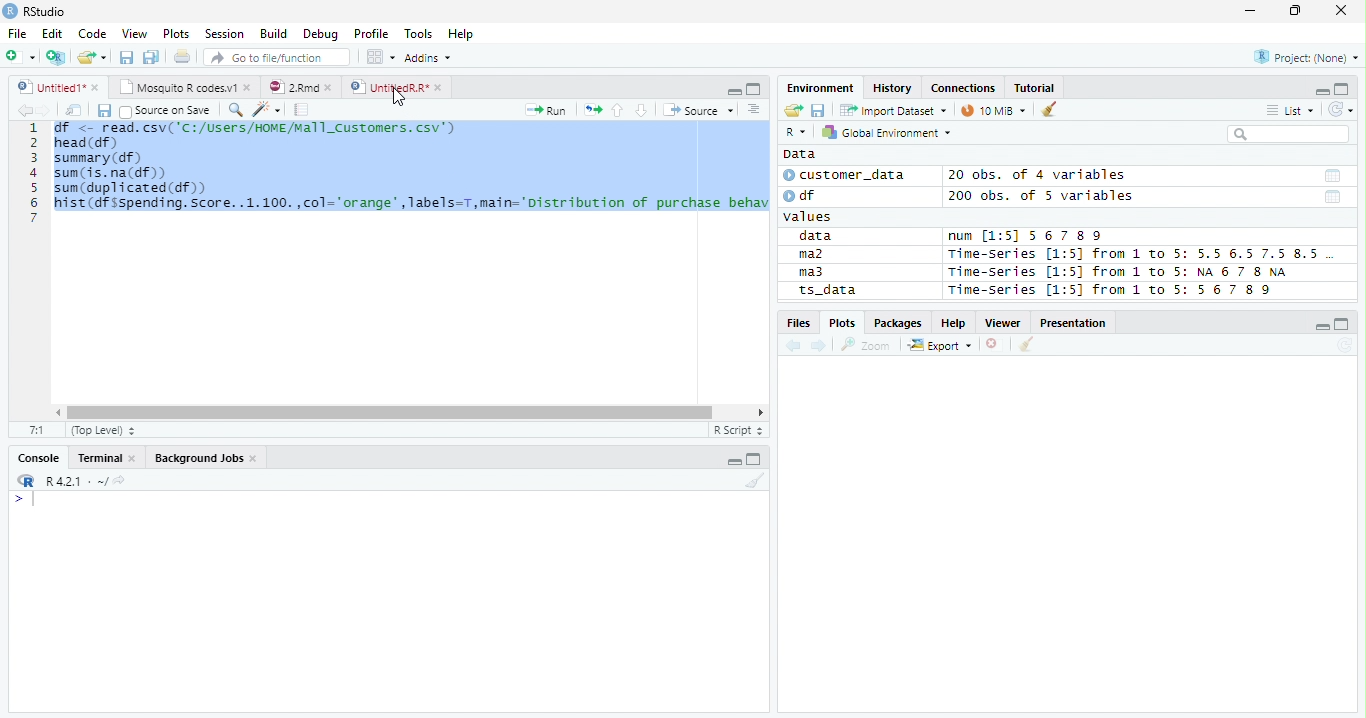  Describe the element at coordinates (223, 33) in the screenshot. I see `Session` at that location.